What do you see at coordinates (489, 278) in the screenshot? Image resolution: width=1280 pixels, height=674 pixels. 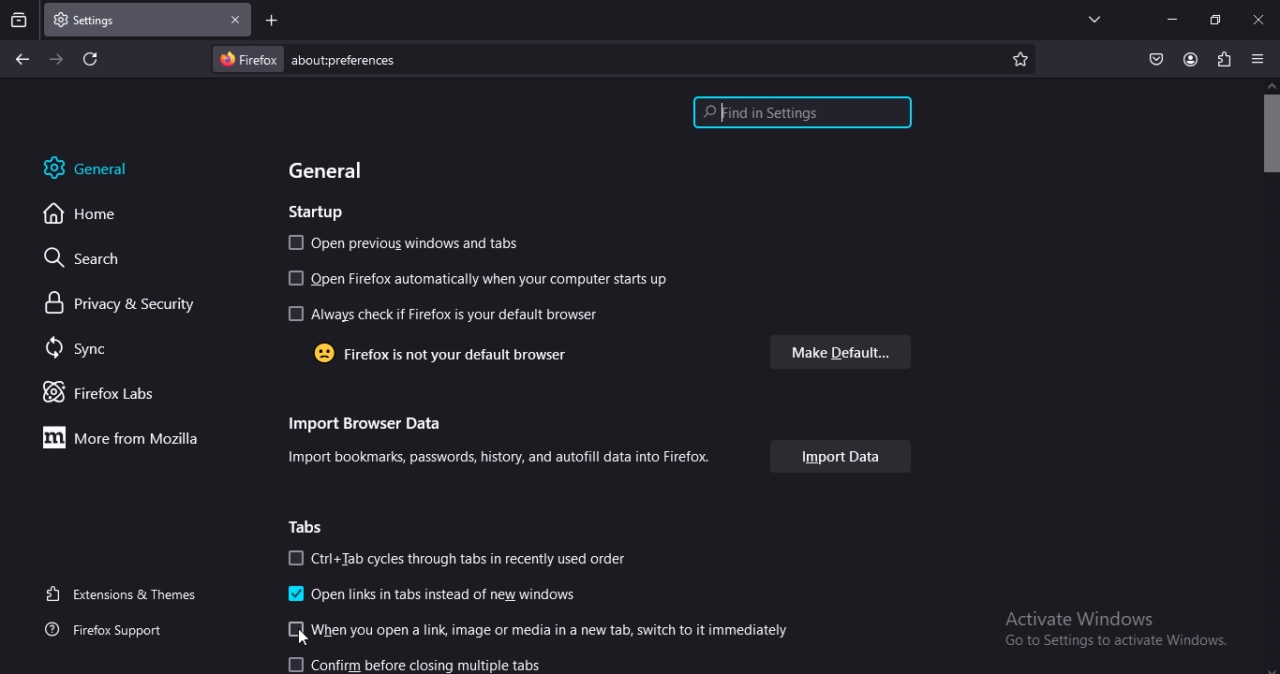 I see `open firefox automatically when your computer starts up` at bounding box center [489, 278].